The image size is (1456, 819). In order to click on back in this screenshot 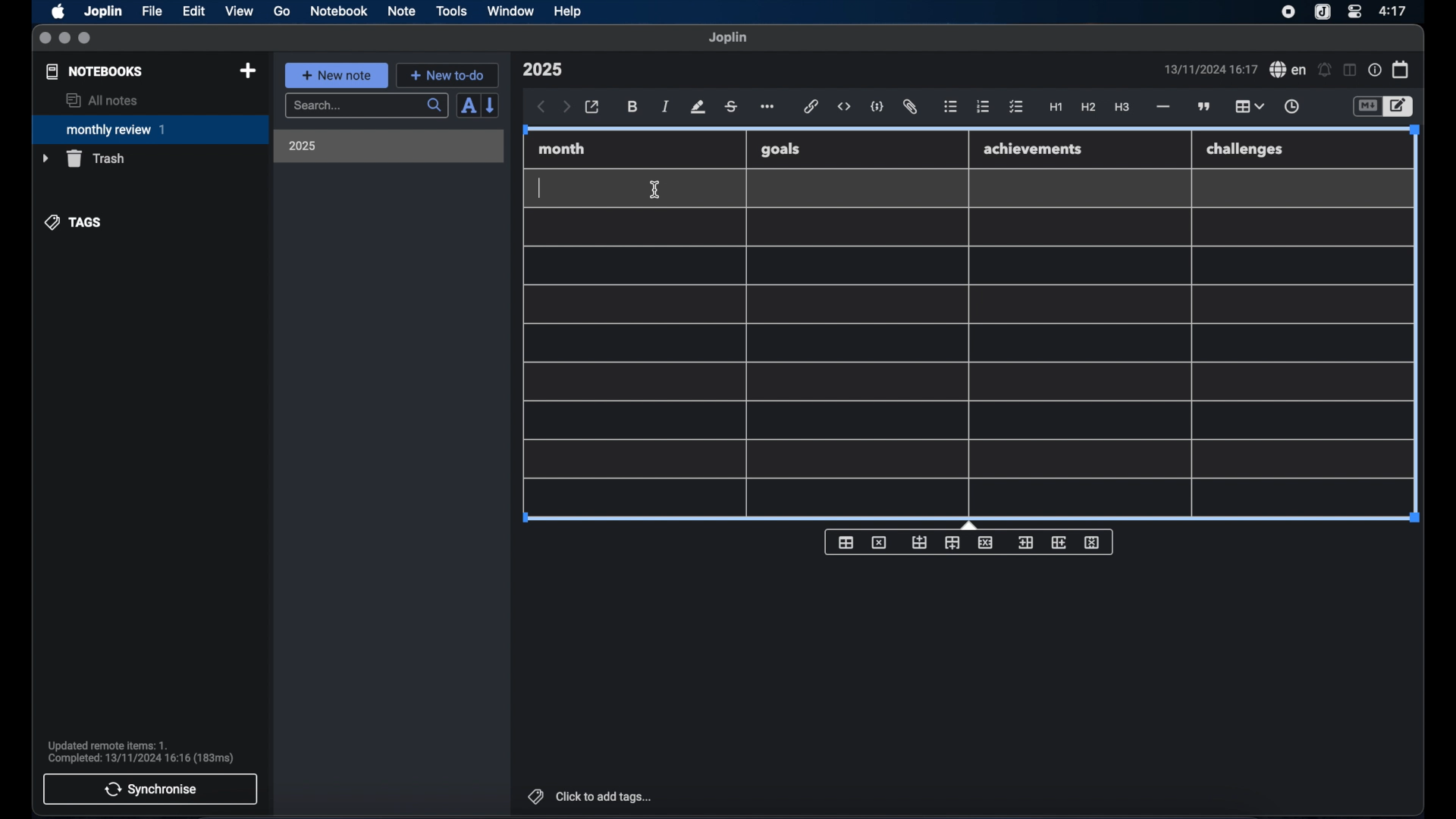, I will do `click(541, 107)`.